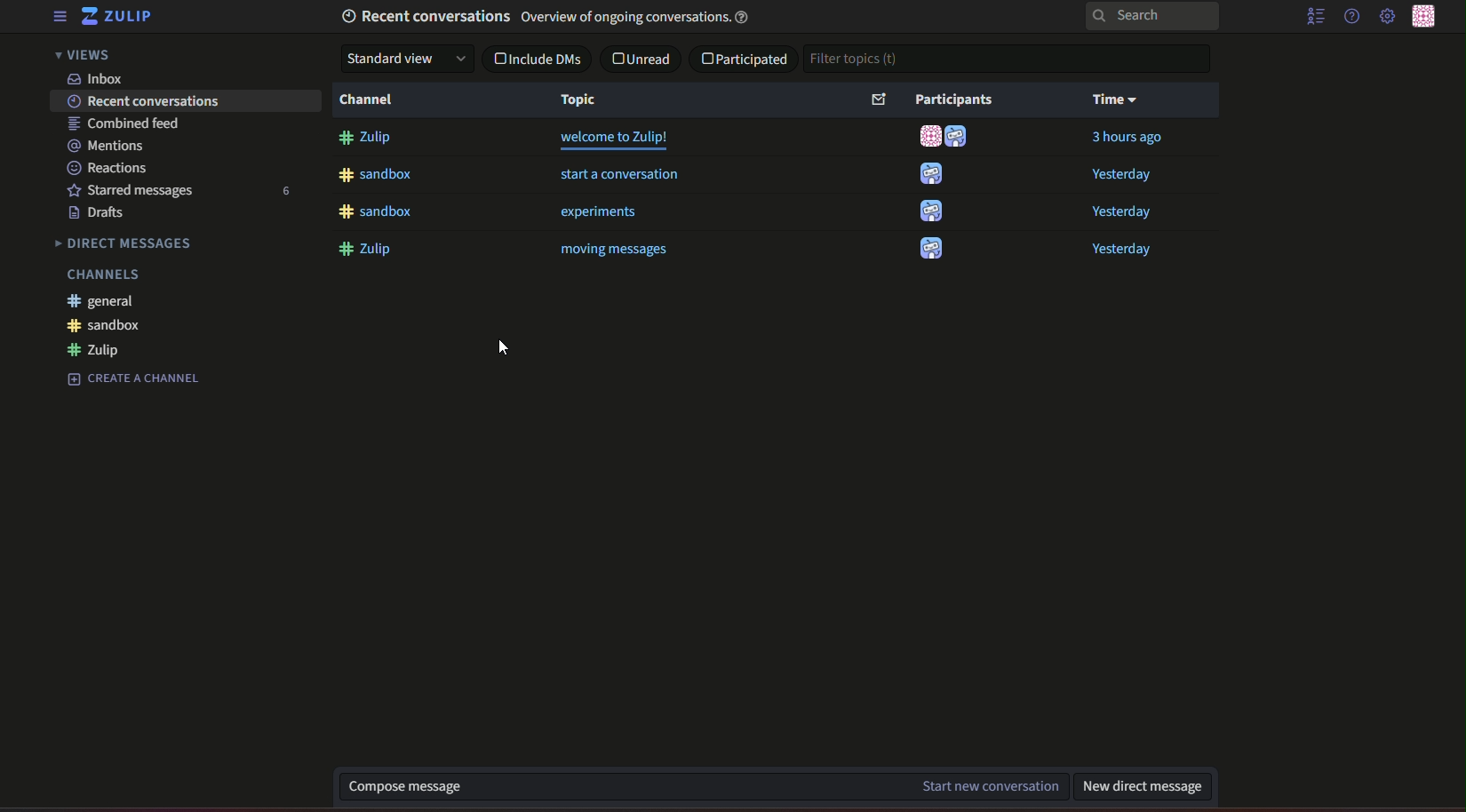 The image size is (1466, 812). Describe the element at coordinates (496, 346) in the screenshot. I see `cursor` at that location.